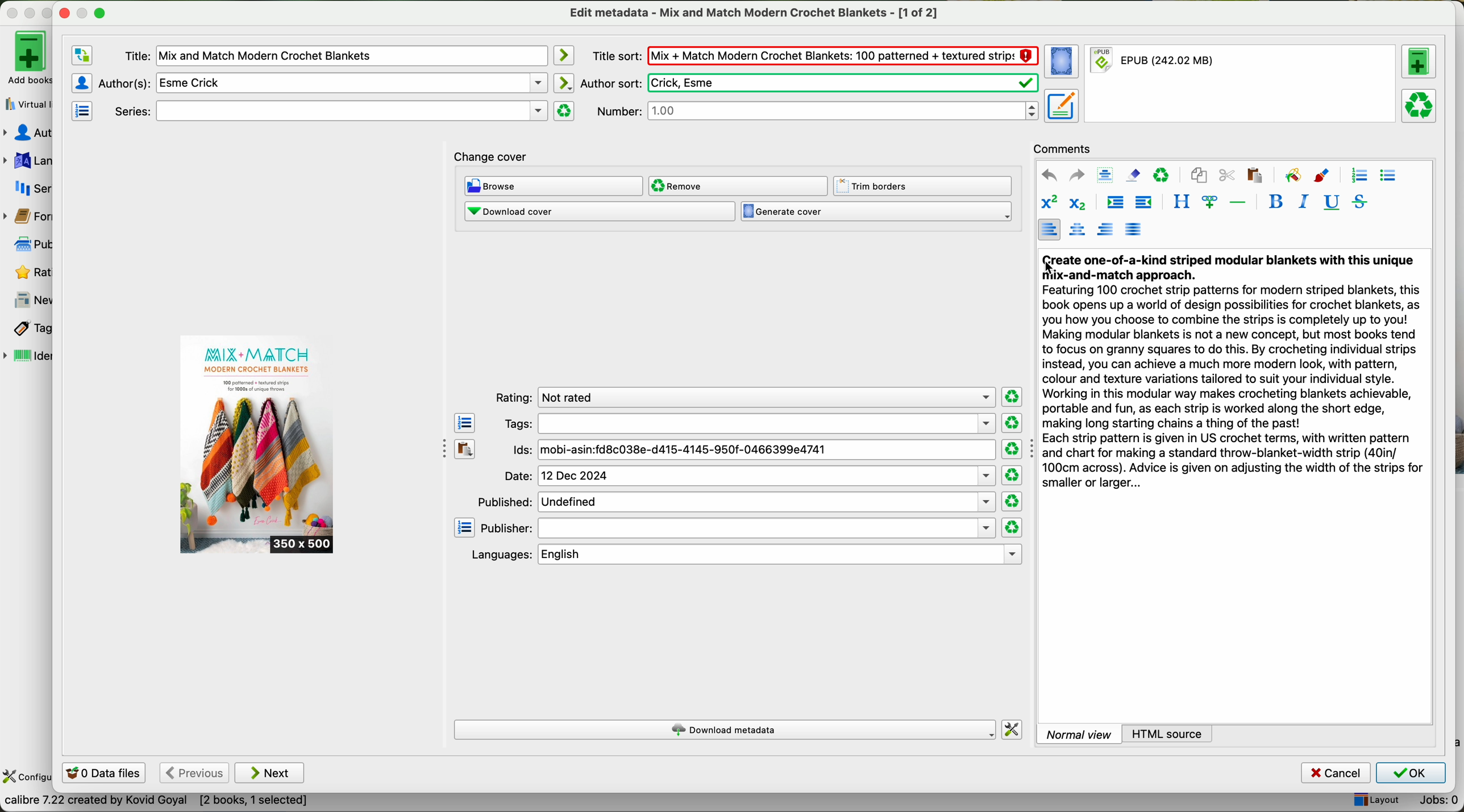  What do you see at coordinates (335, 56) in the screenshot?
I see `title` at bounding box center [335, 56].